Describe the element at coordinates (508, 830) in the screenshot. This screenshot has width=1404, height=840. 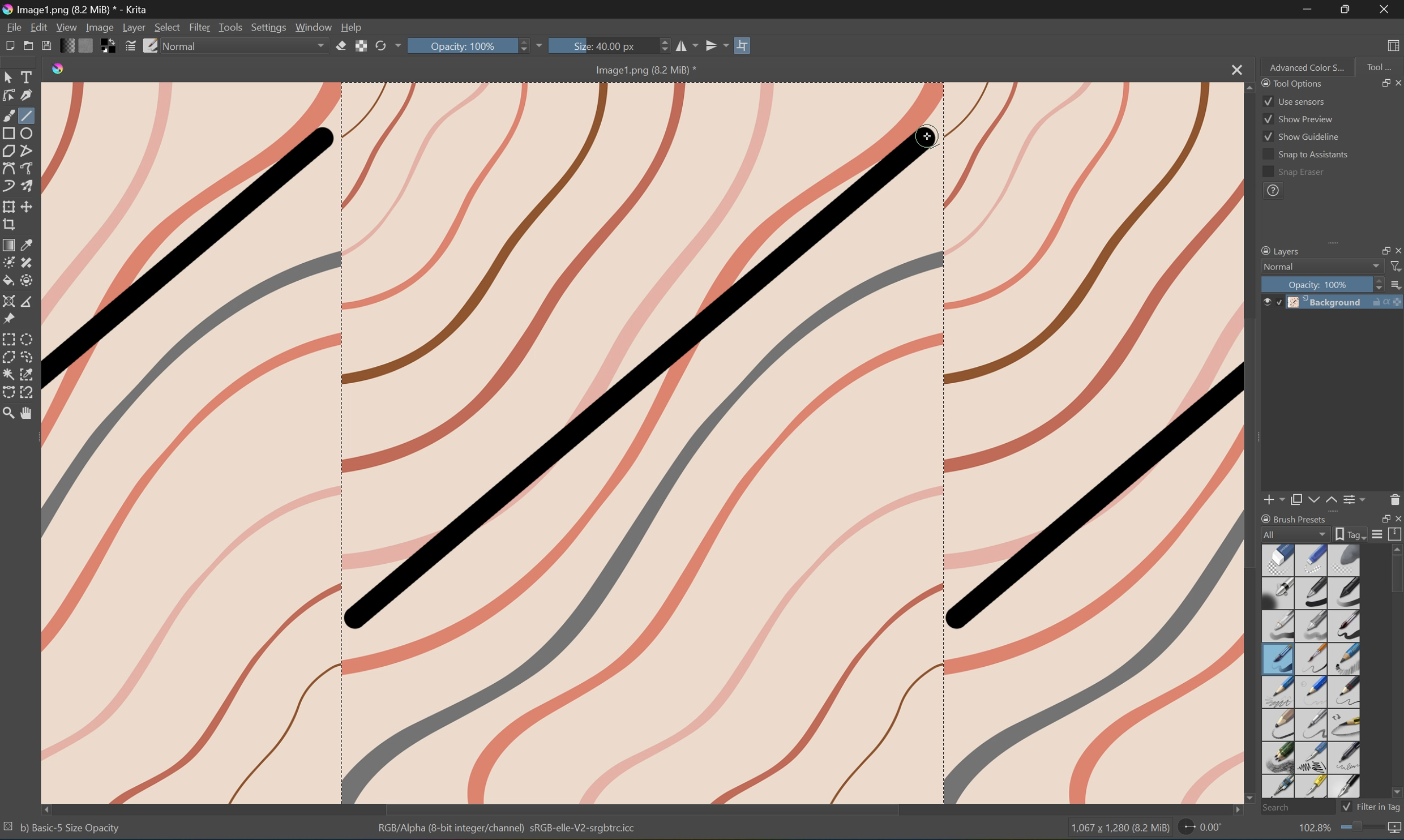
I see `RGB Alpha (8-bit integer/channel) sRGB-elle-V2-srgbcicc` at that location.